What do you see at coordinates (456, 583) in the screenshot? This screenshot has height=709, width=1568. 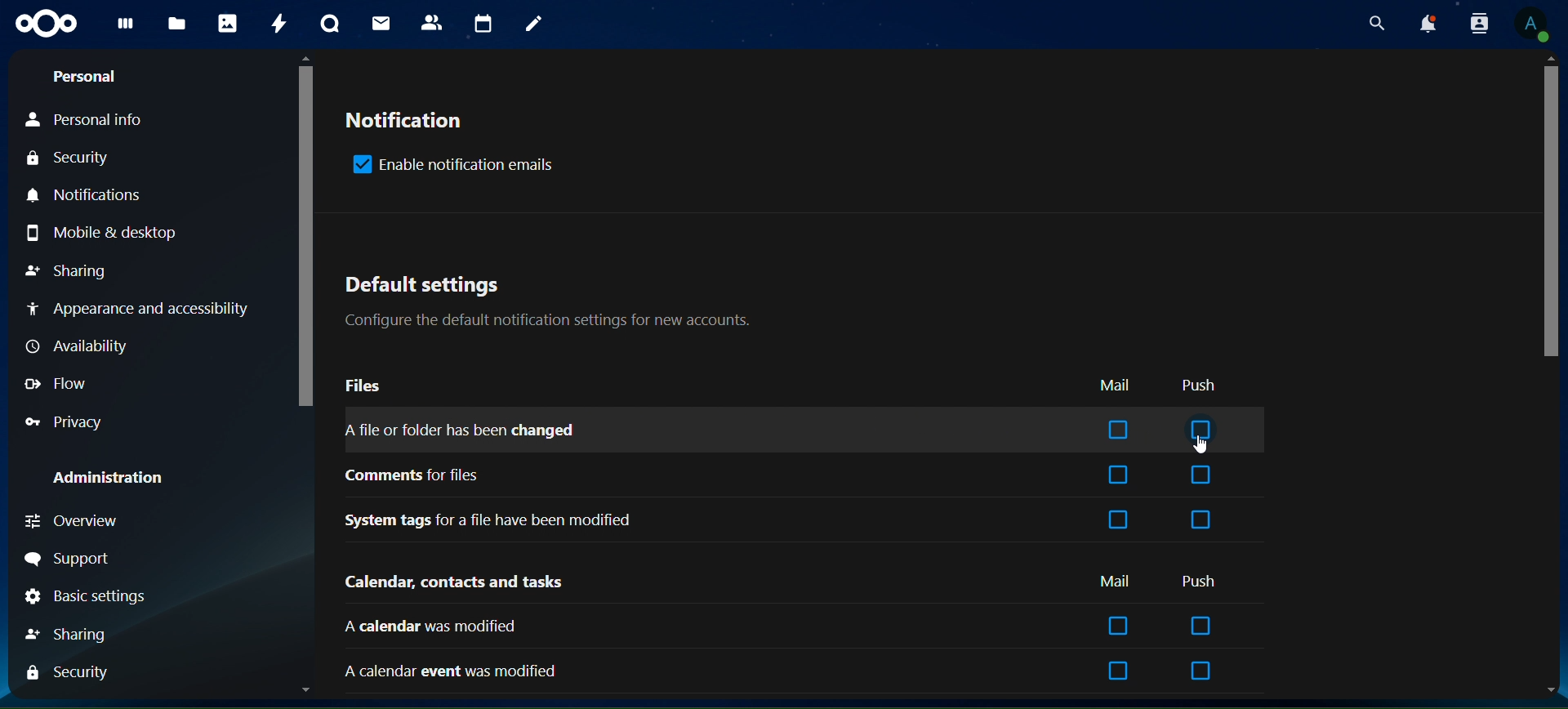 I see `calendar, contacts and tasks` at bounding box center [456, 583].